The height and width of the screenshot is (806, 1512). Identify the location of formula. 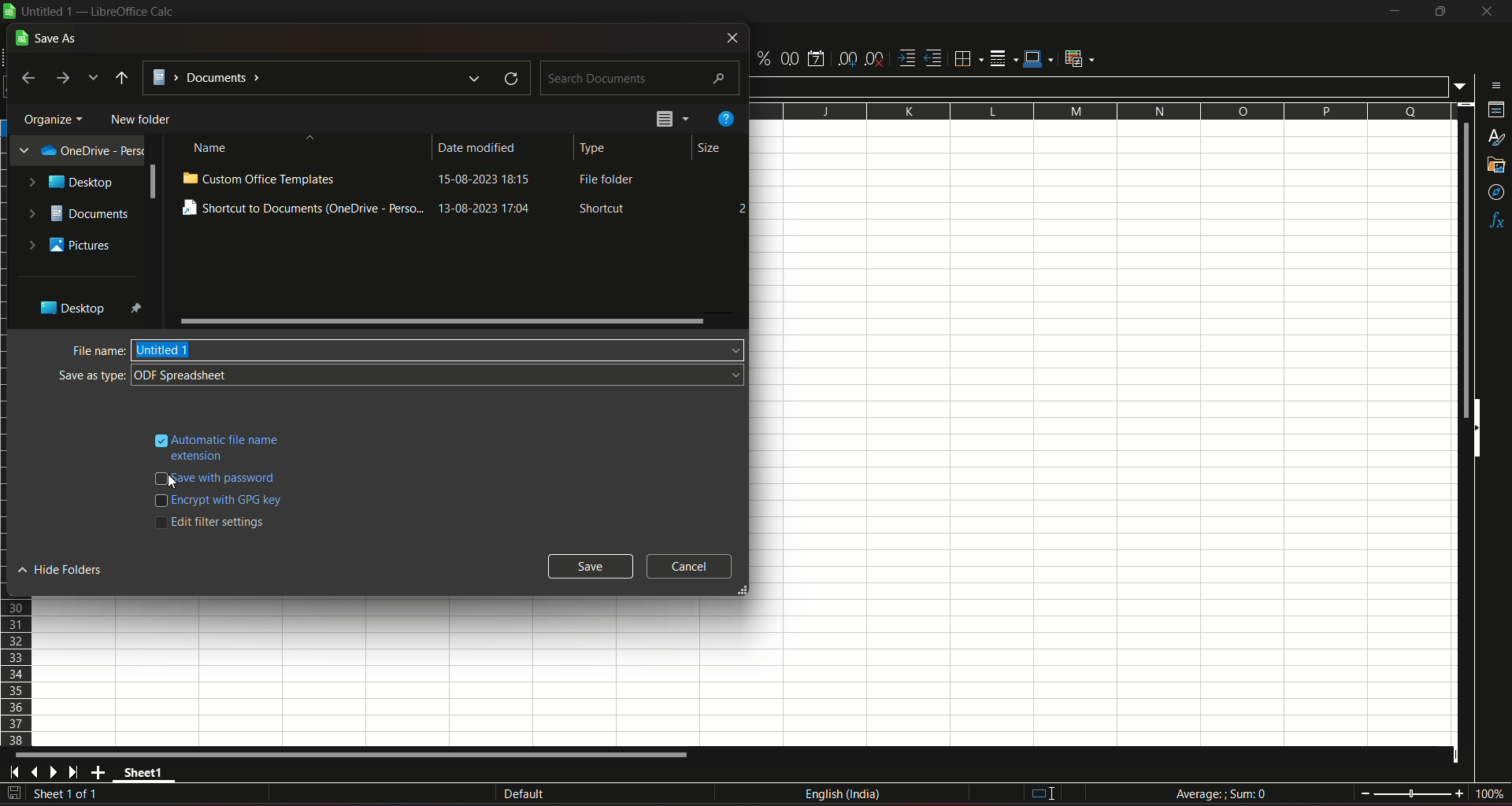
(1221, 793).